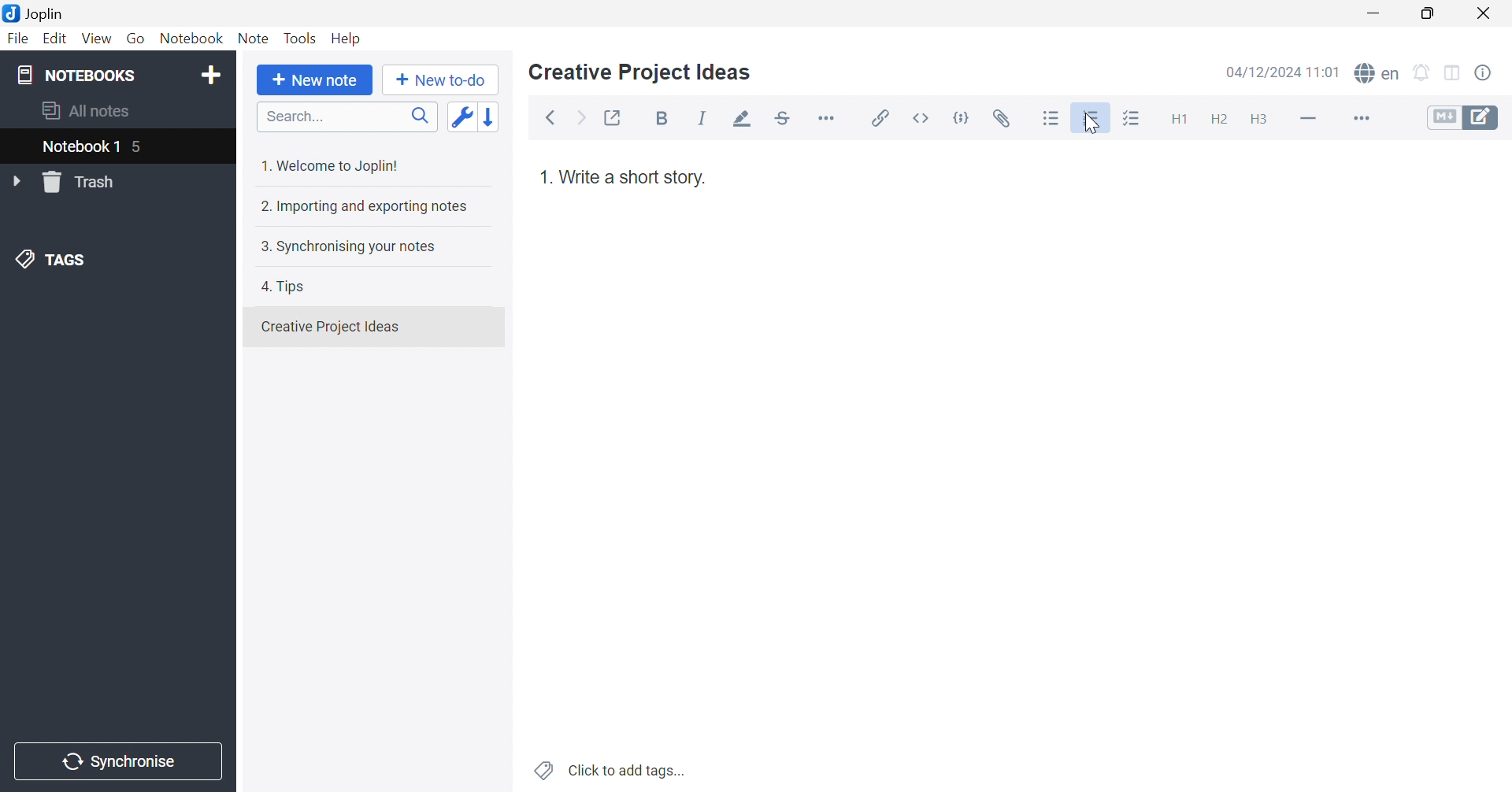 The width and height of the screenshot is (1512, 792). Describe the element at coordinates (545, 180) in the screenshot. I see `1.` at that location.